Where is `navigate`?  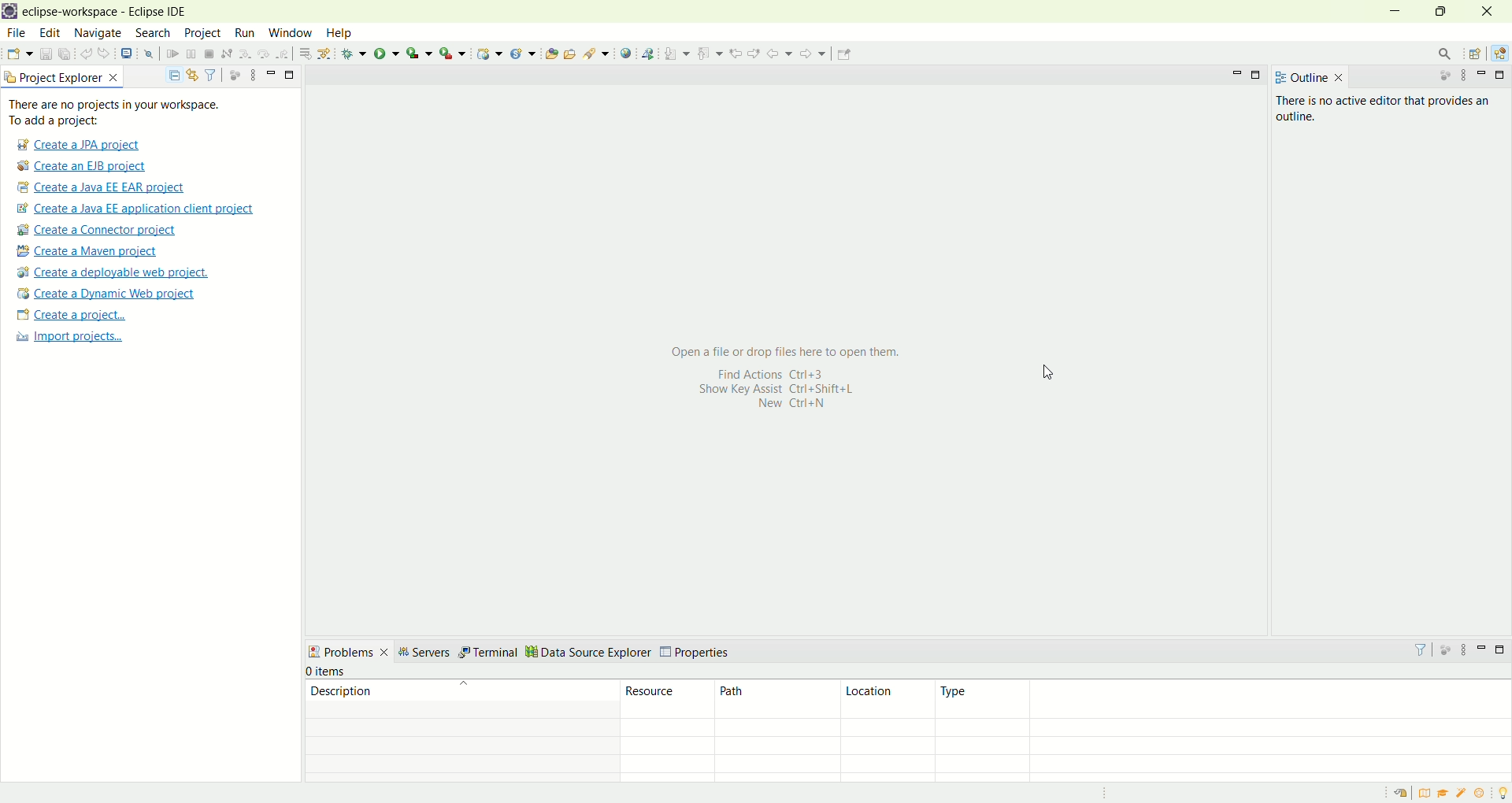 navigate is located at coordinates (98, 35).